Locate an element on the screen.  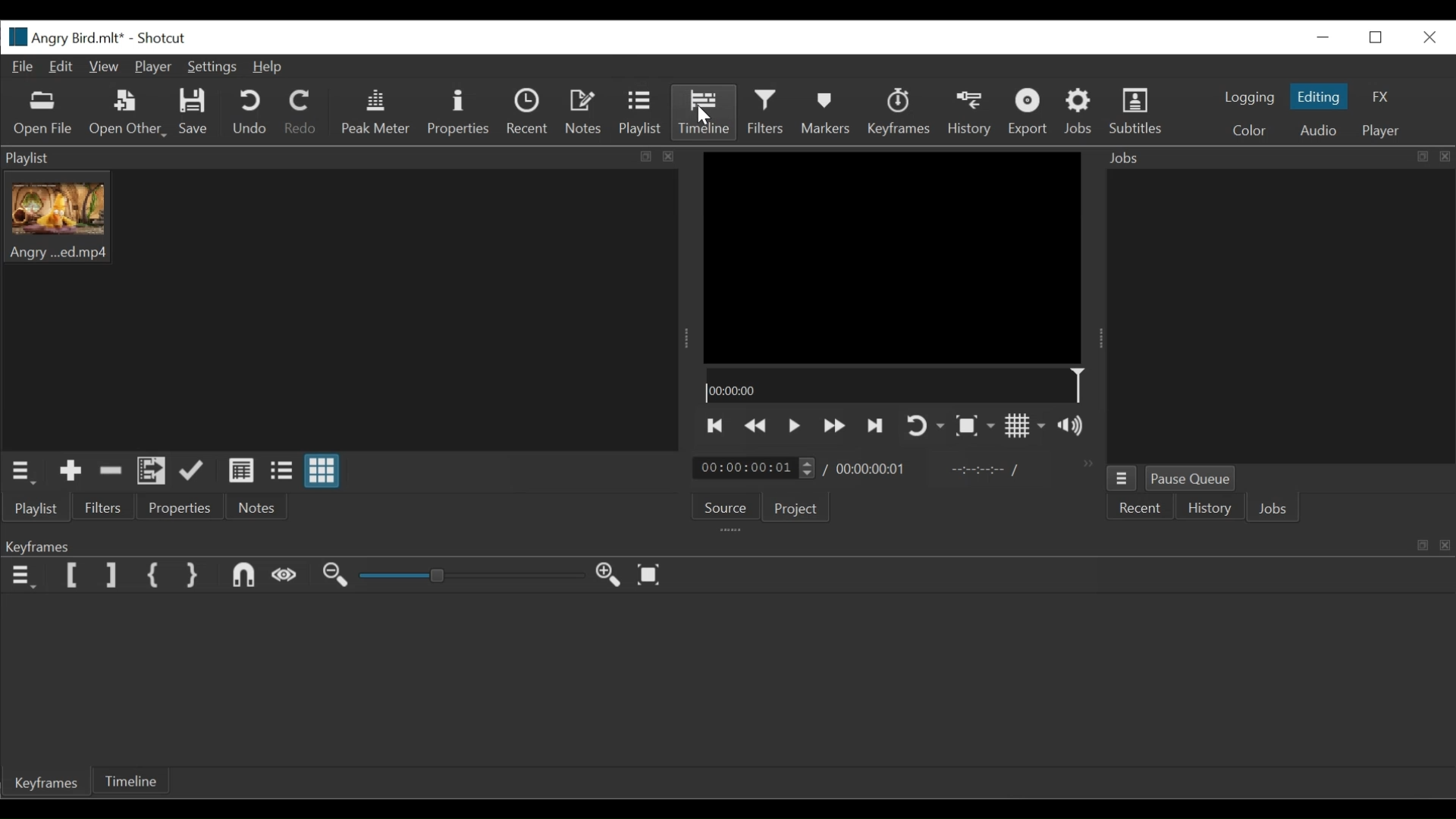
Player is located at coordinates (152, 67).